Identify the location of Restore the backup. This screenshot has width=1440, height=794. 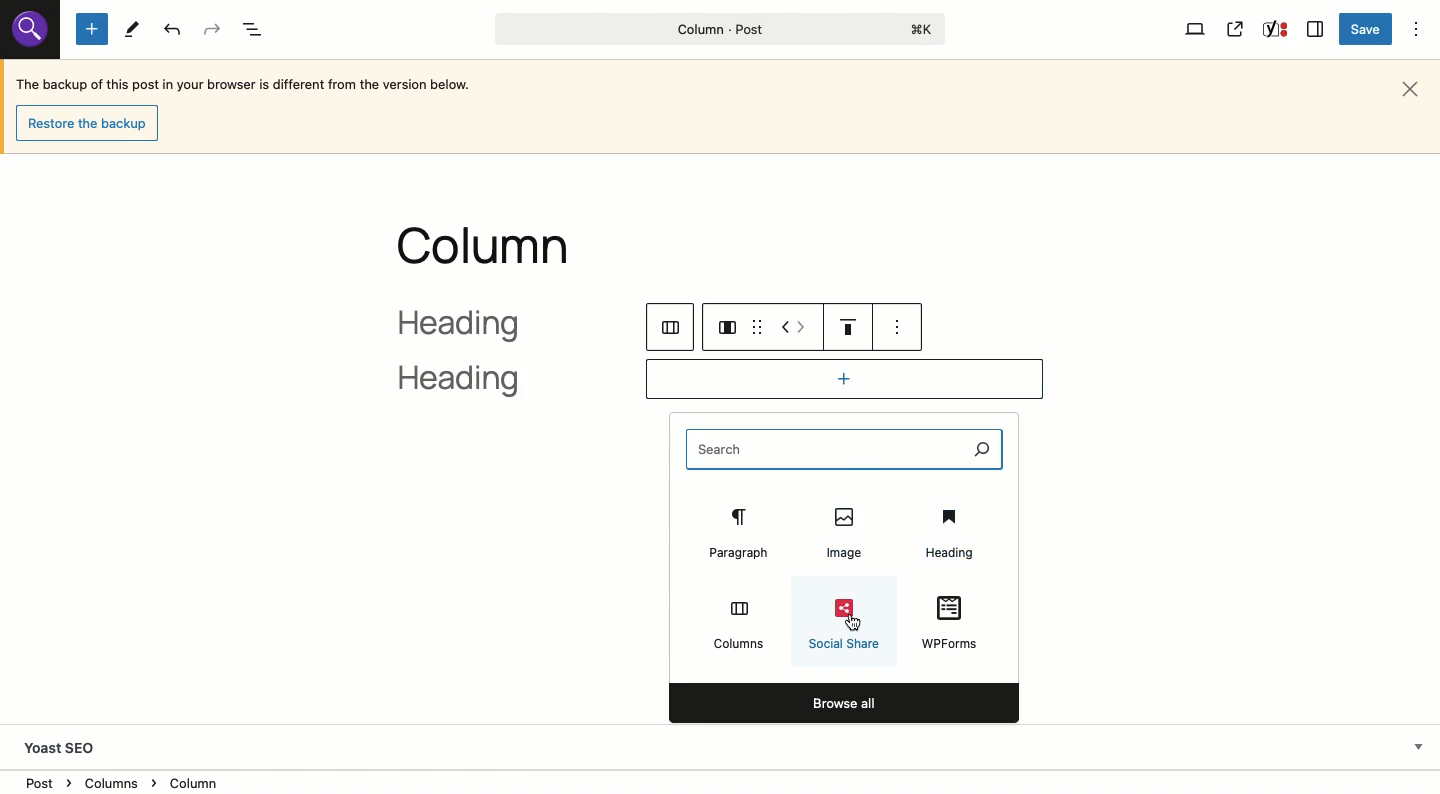
(92, 124).